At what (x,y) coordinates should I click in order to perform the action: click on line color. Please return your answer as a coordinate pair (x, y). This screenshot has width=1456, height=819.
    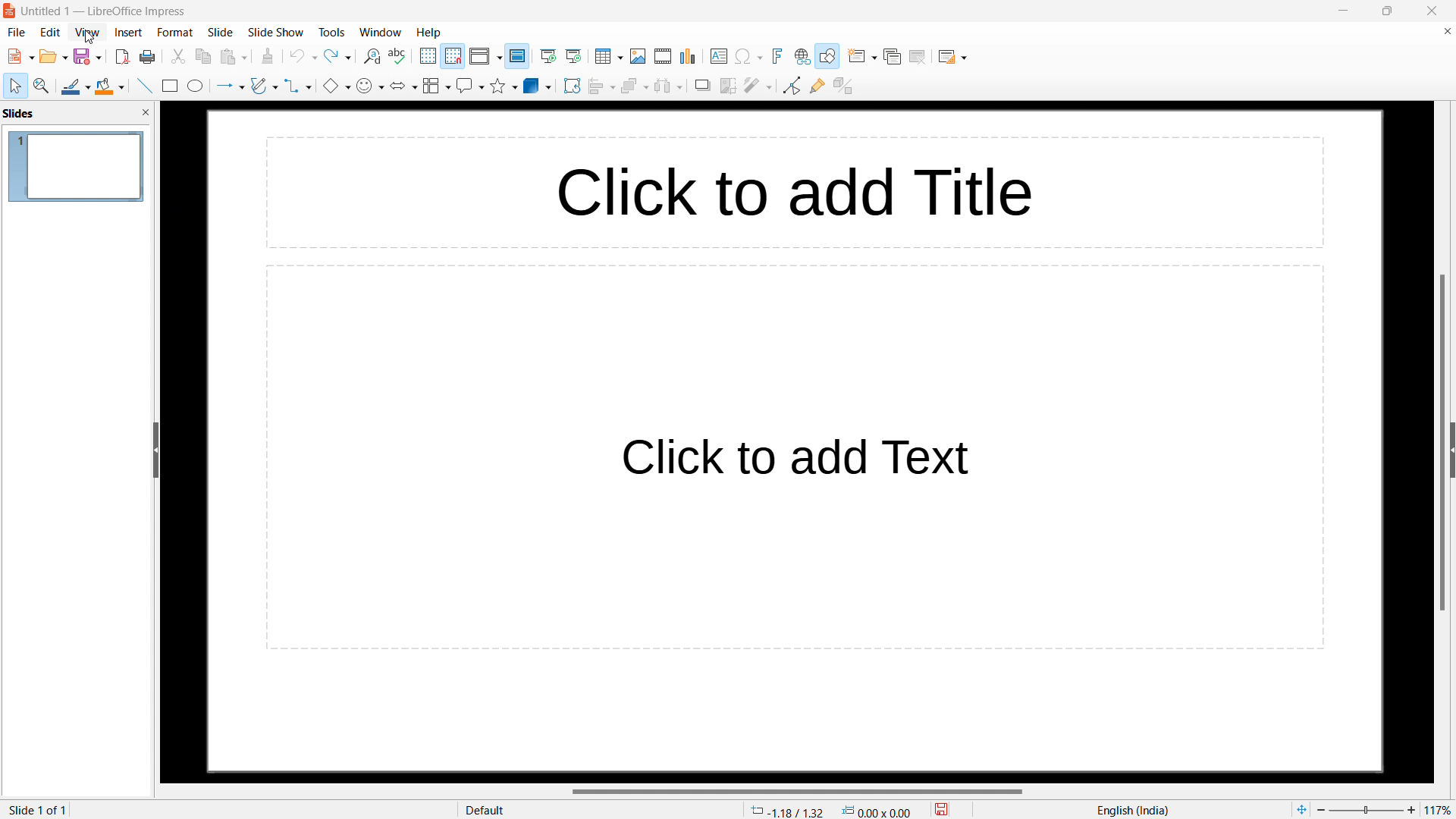
    Looking at the image, I should click on (77, 85).